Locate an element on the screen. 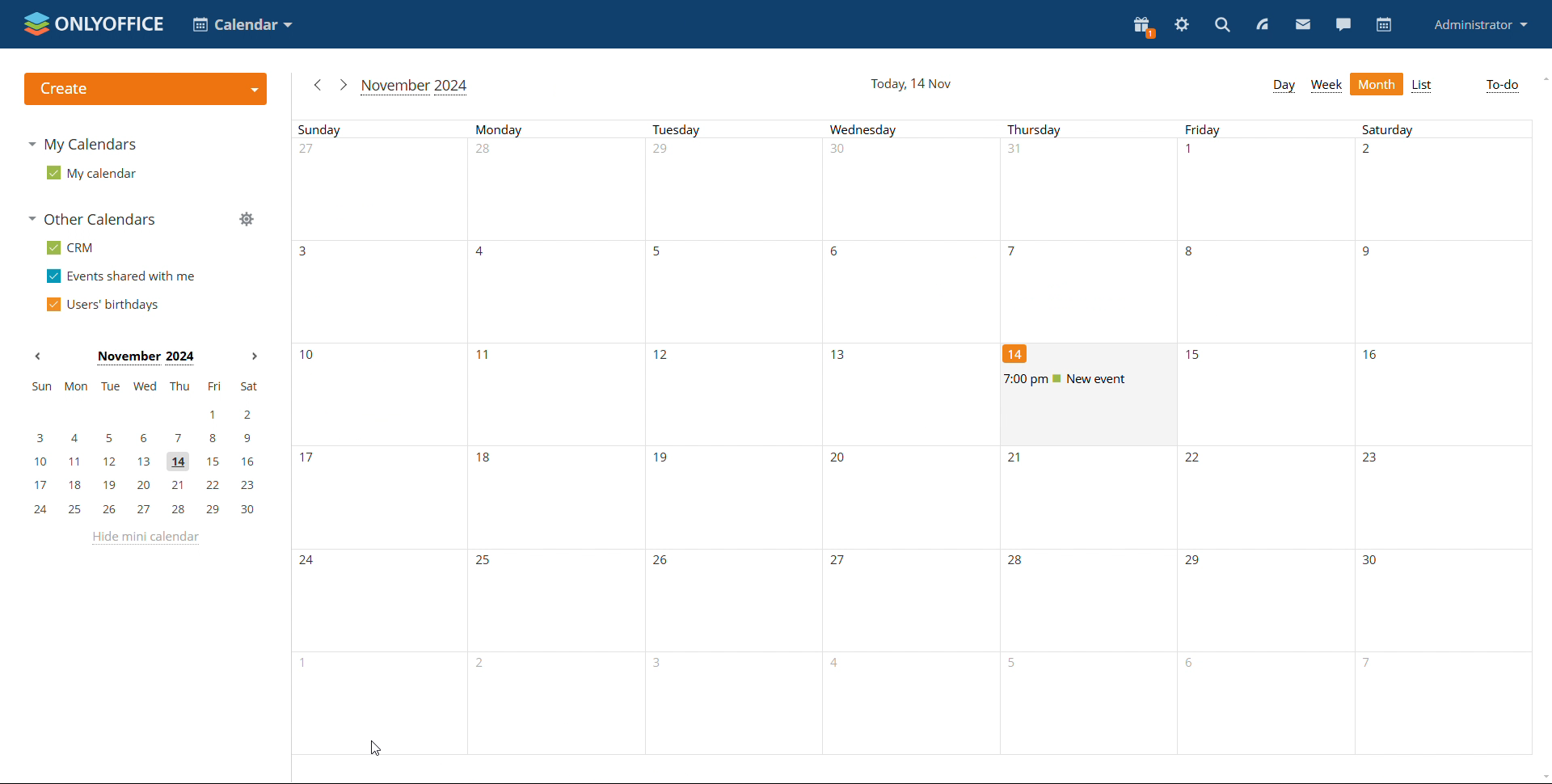  calendar is located at coordinates (1385, 25).